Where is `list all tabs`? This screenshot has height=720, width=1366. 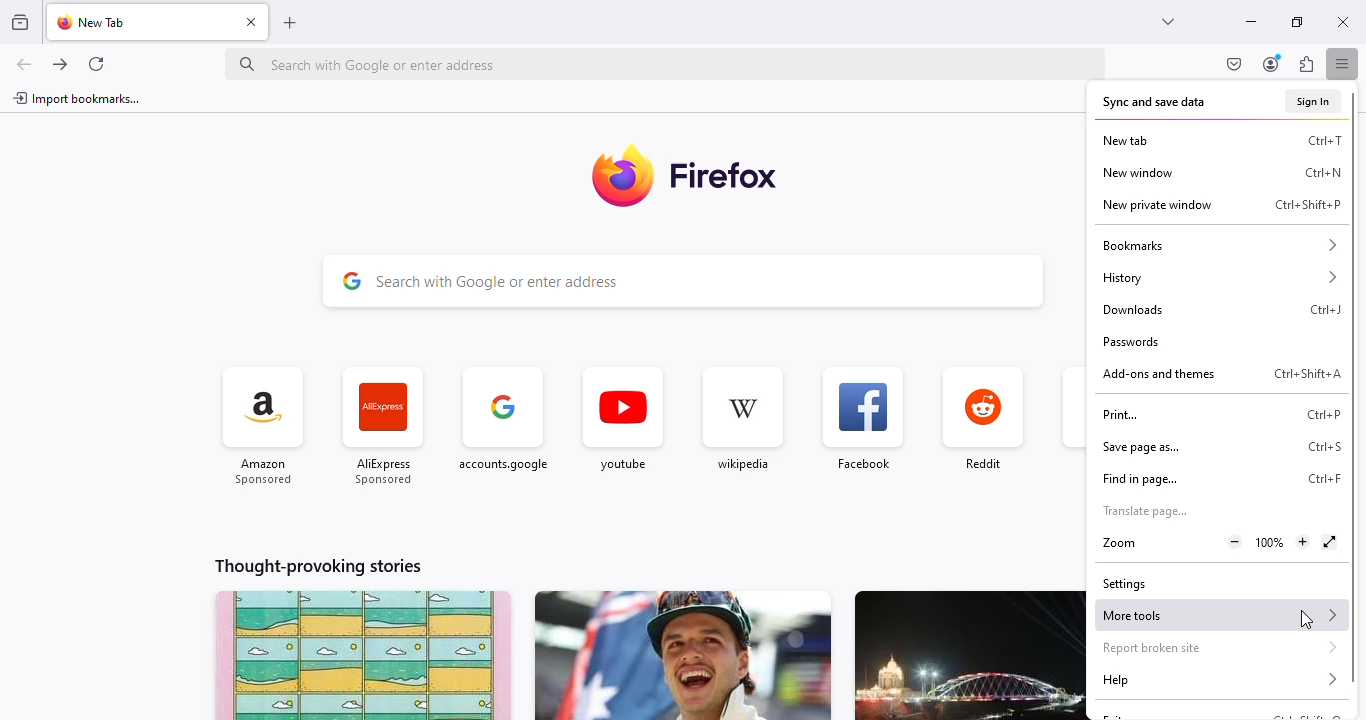
list all tabs is located at coordinates (1170, 22).